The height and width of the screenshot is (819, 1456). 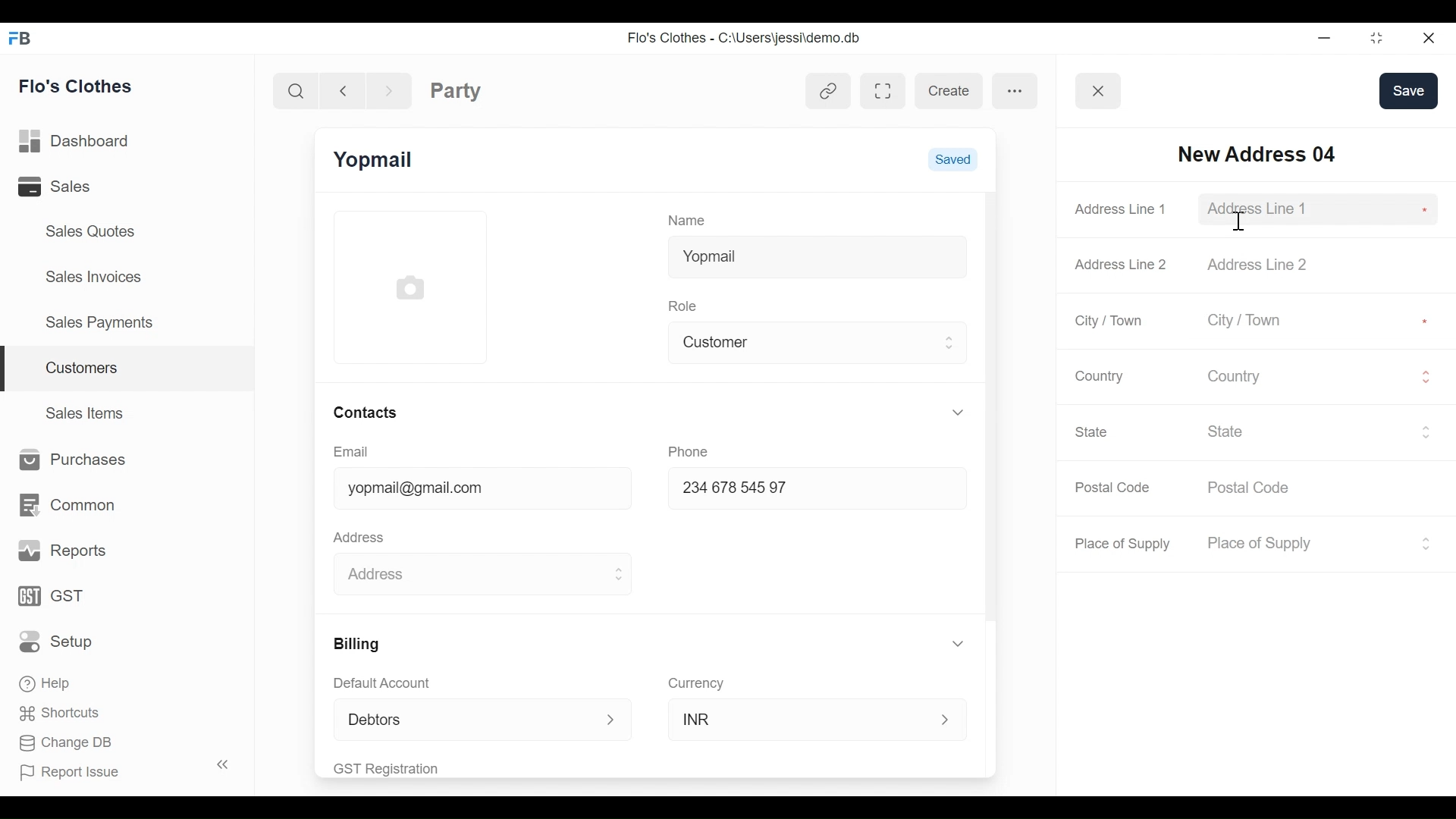 I want to click on Change DB, so click(x=67, y=745).